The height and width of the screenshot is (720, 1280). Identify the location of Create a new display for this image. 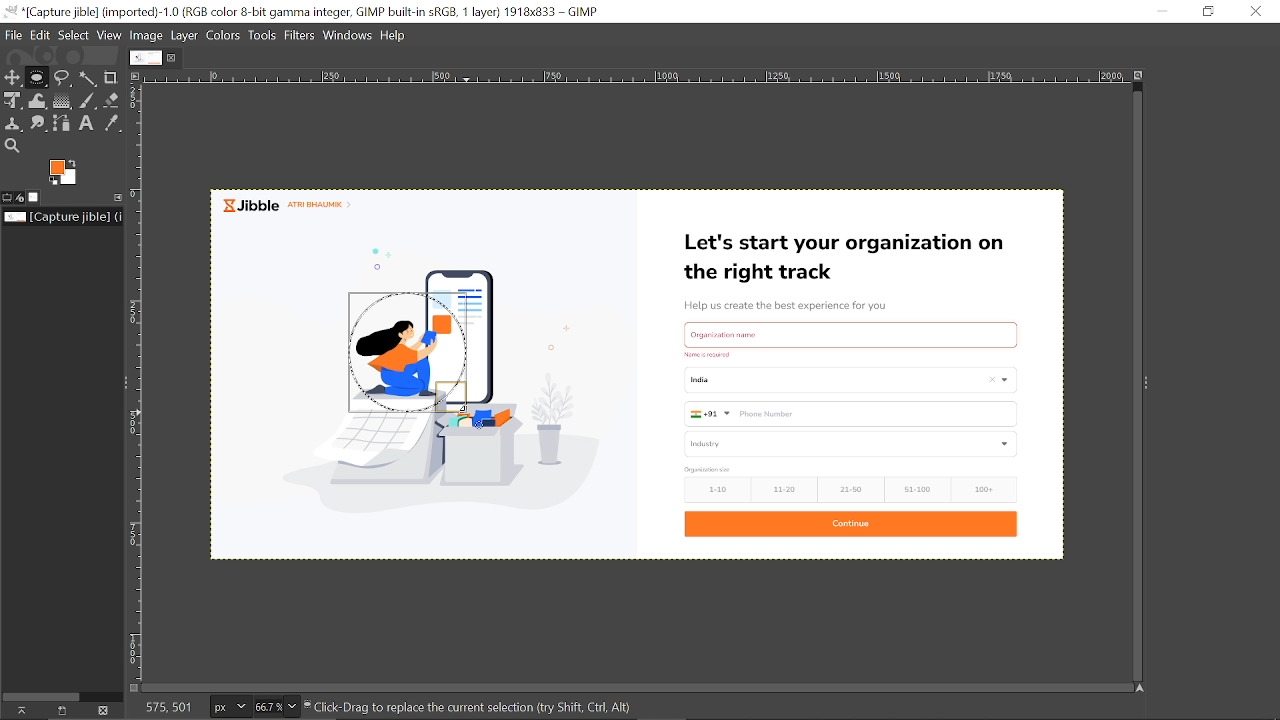
(62, 710).